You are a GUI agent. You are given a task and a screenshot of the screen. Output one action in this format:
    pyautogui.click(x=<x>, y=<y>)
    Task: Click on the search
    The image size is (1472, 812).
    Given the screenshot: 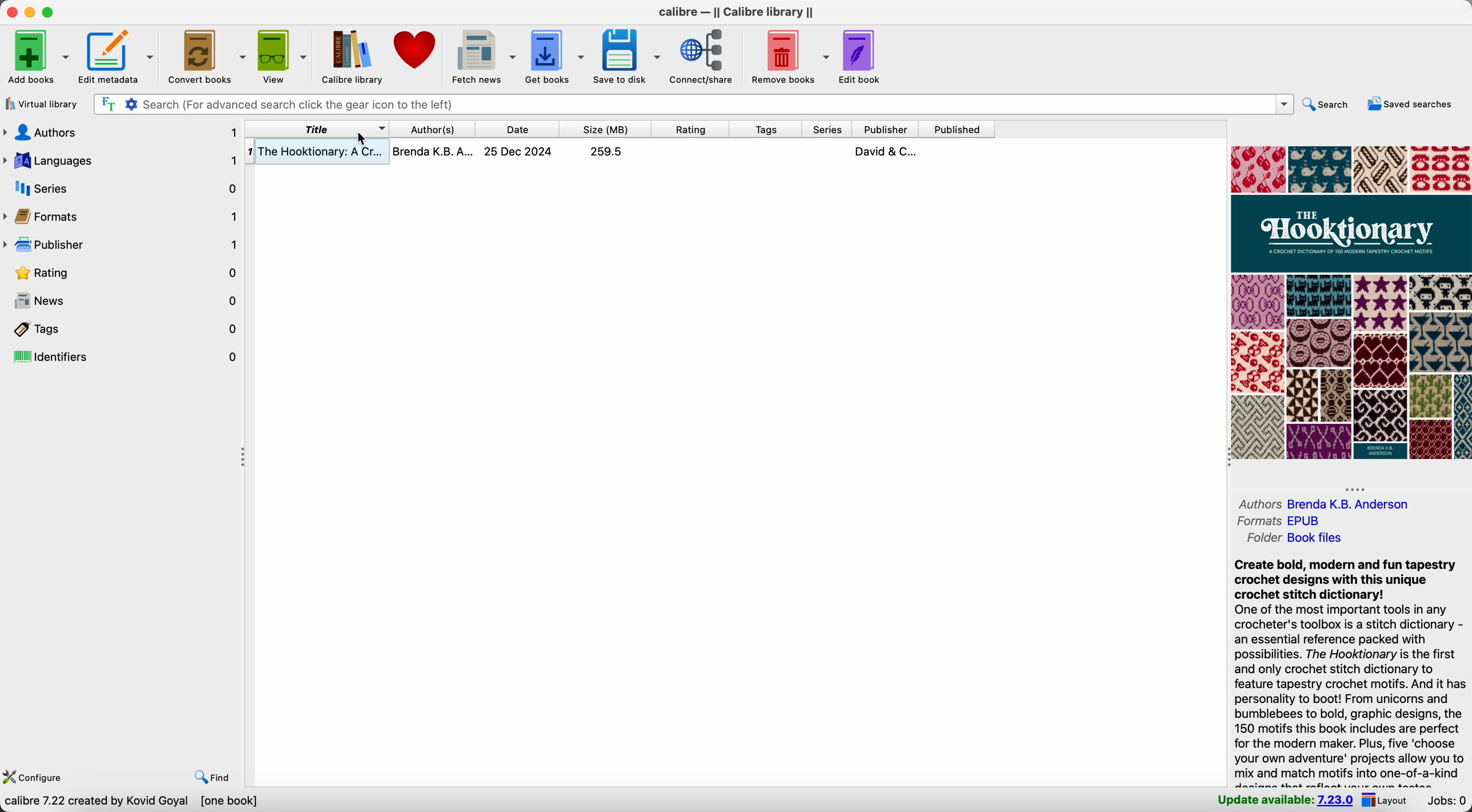 What is the action you would take?
    pyautogui.click(x=1329, y=106)
    